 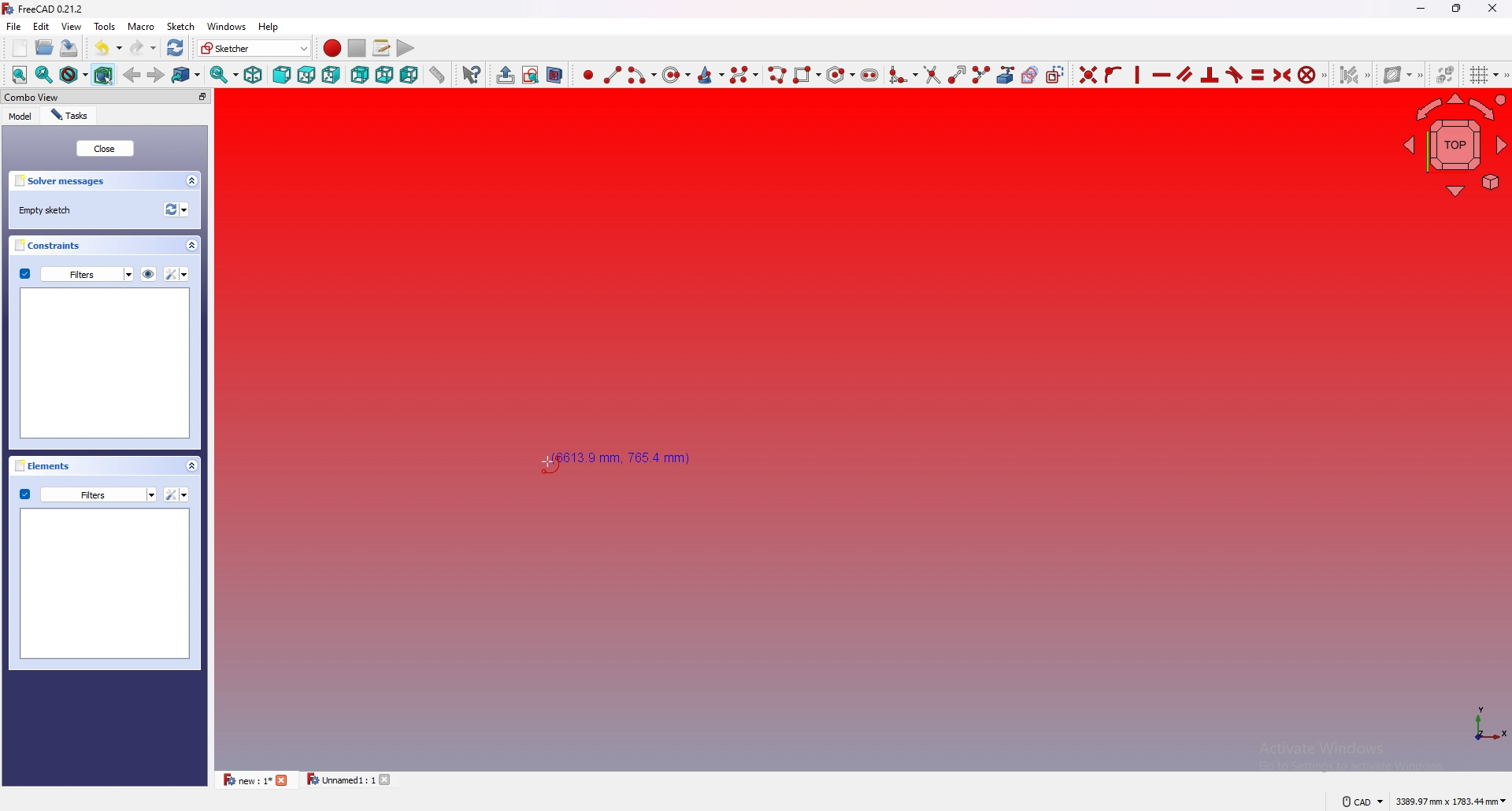 What do you see at coordinates (471, 75) in the screenshot?
I see `Whats this?` at bounding box center [471, 75].